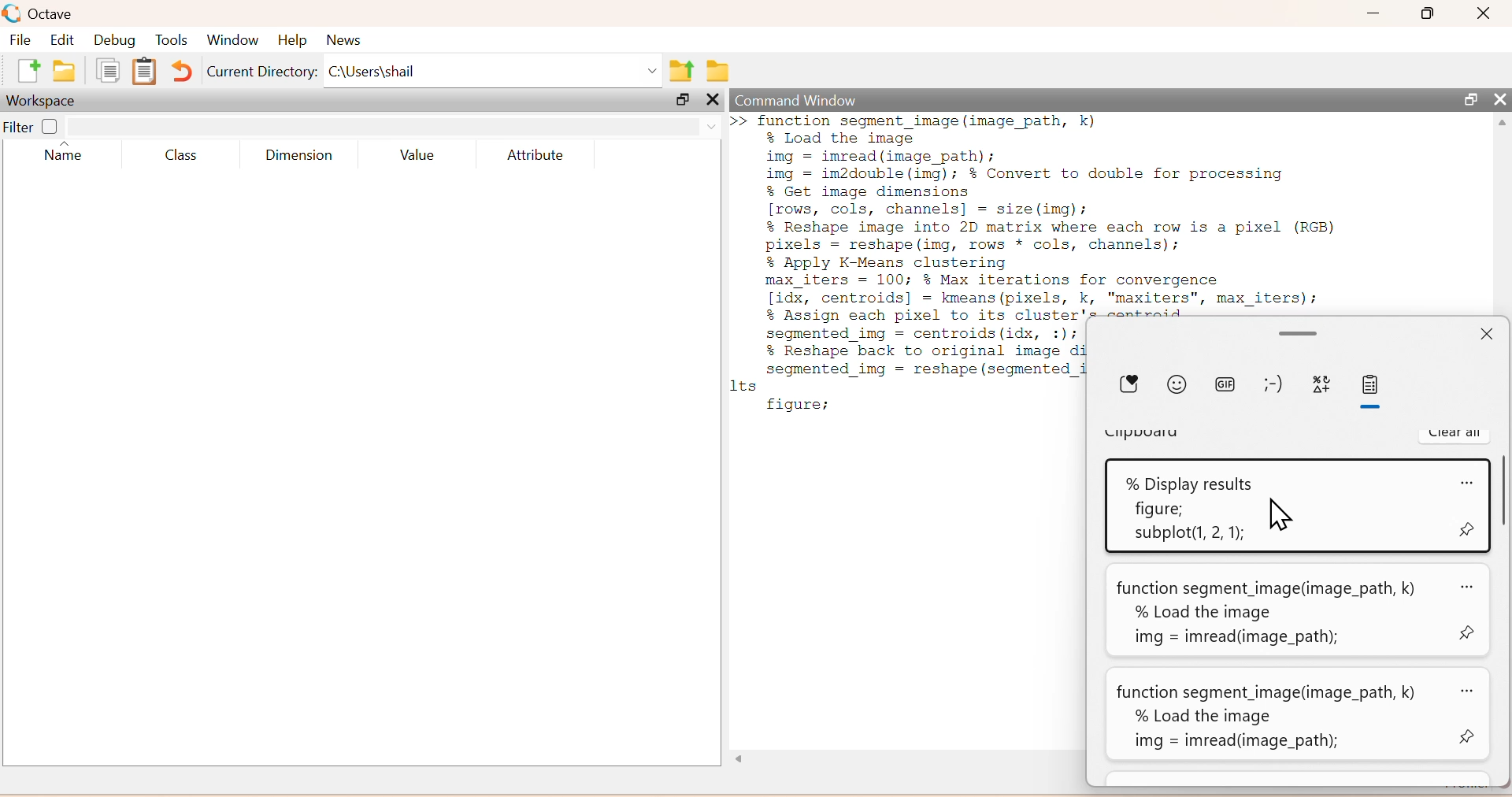  What do you see at coordinates (342, 42) in the screenshot?
I see `News` at bounding box center [342, 42].